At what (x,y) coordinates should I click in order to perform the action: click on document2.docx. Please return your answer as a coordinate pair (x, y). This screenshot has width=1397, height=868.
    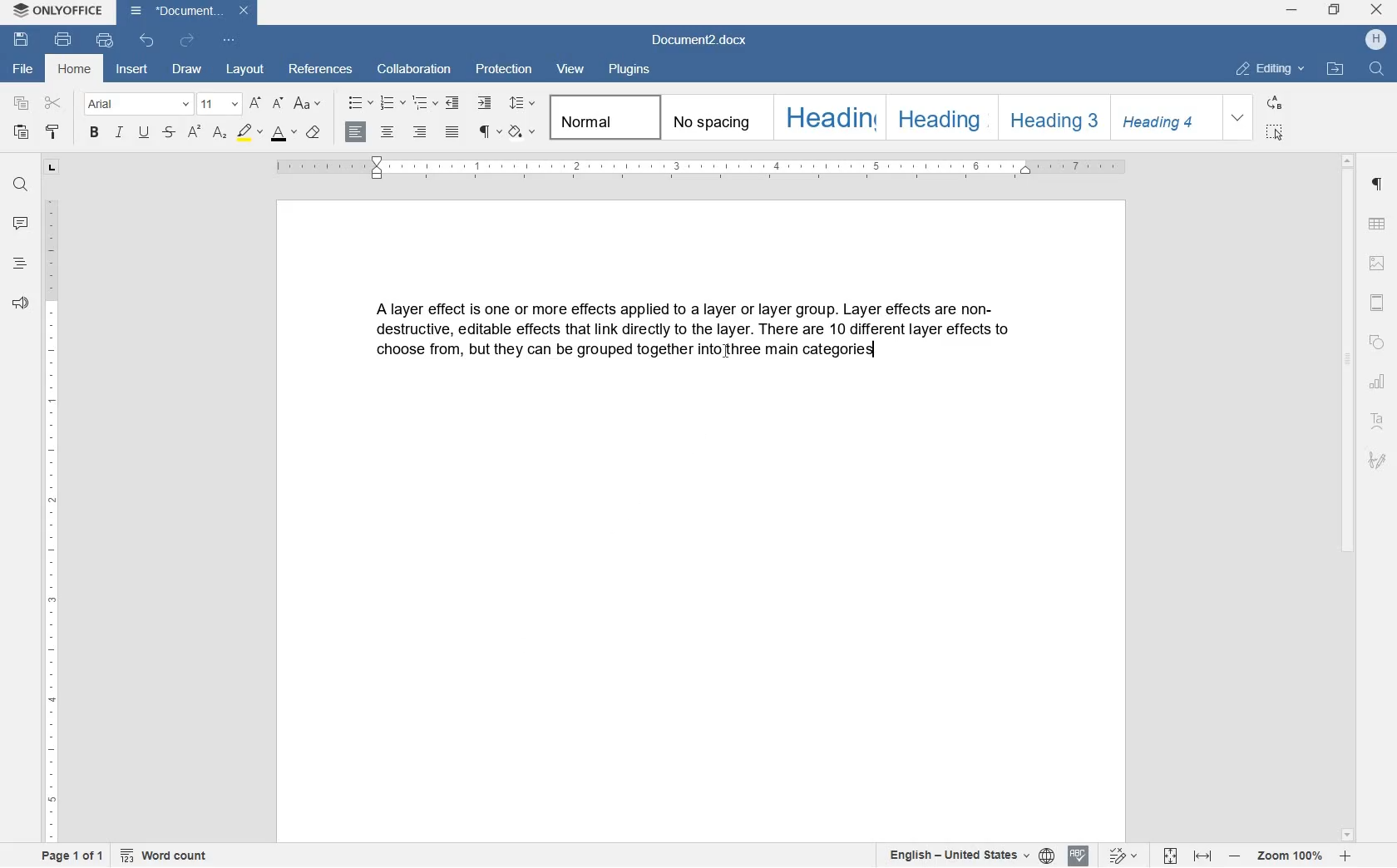
    Looking at the image, I should click on (702, 42).